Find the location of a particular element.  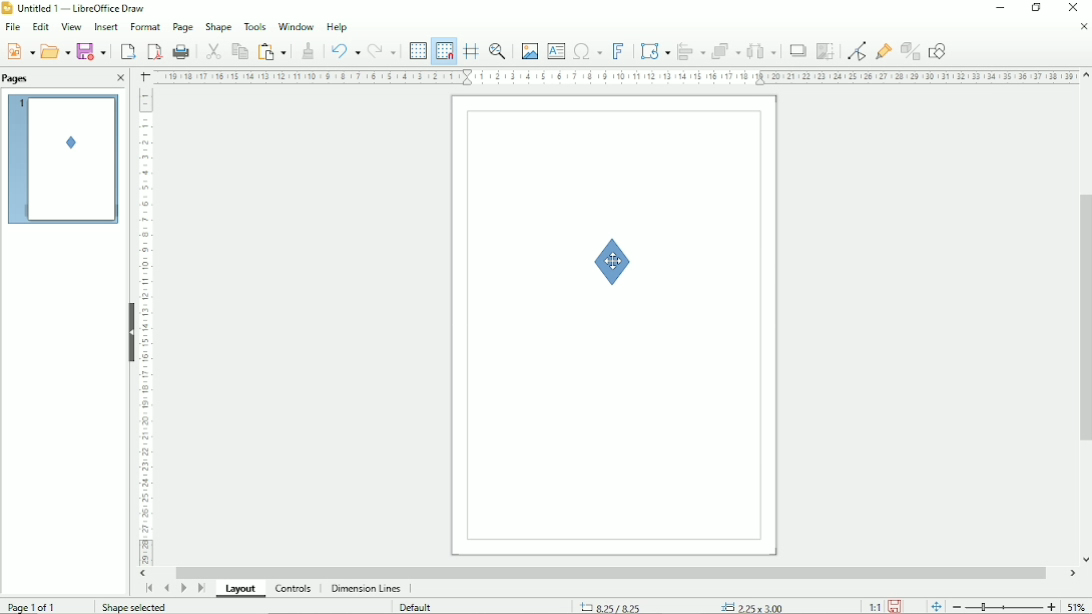

Scroll to last page is located at coordinates (200, 590).